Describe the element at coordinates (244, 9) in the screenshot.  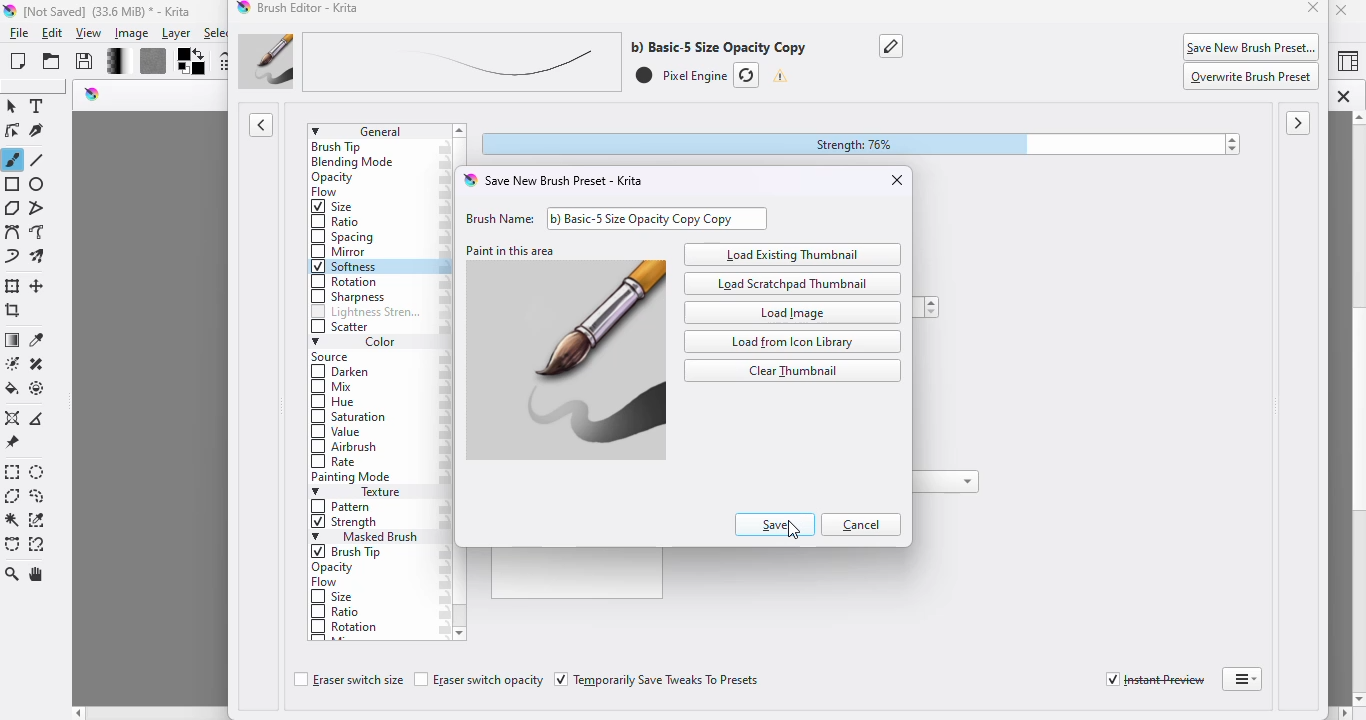
I see `logo` at that location.